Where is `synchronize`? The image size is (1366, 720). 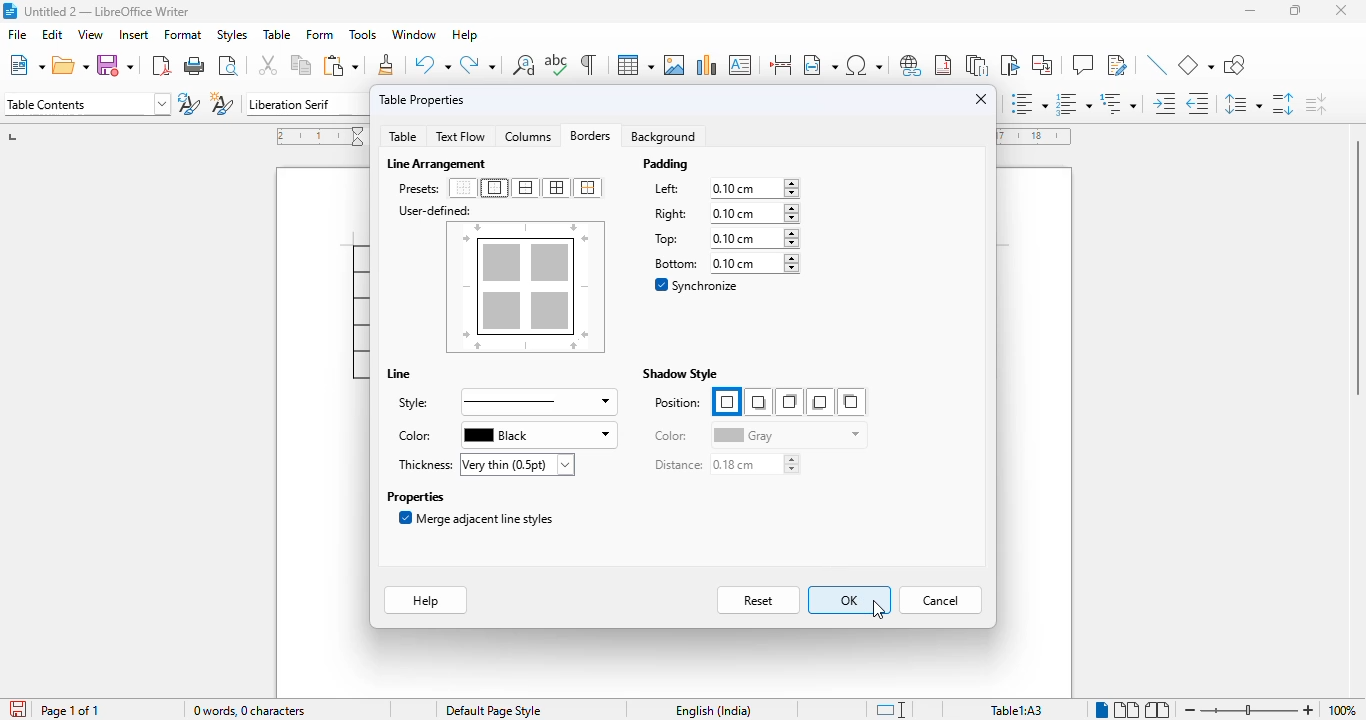 synchronize is located at coordinates (699, 286).